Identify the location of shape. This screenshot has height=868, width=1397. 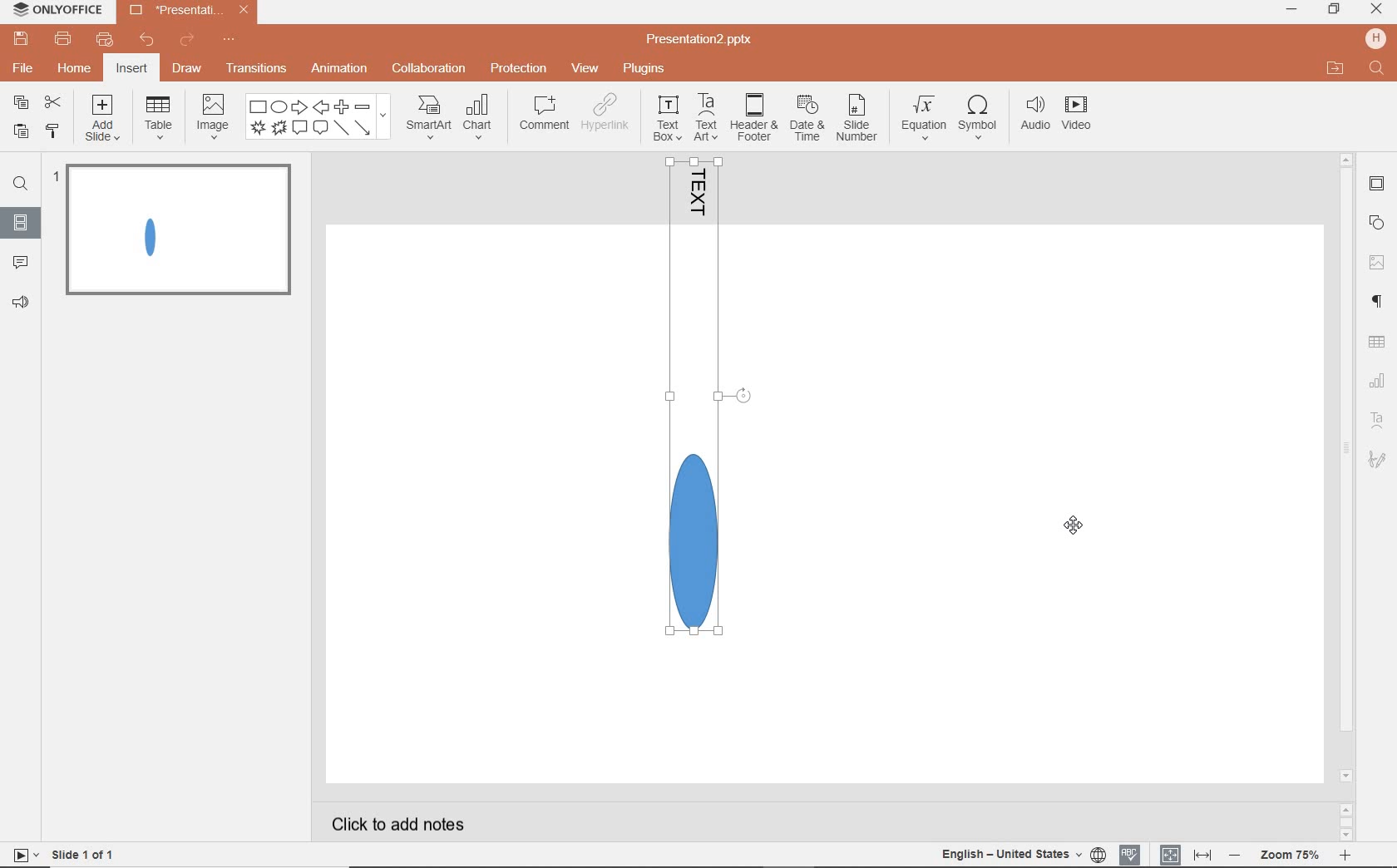
(318, 118).